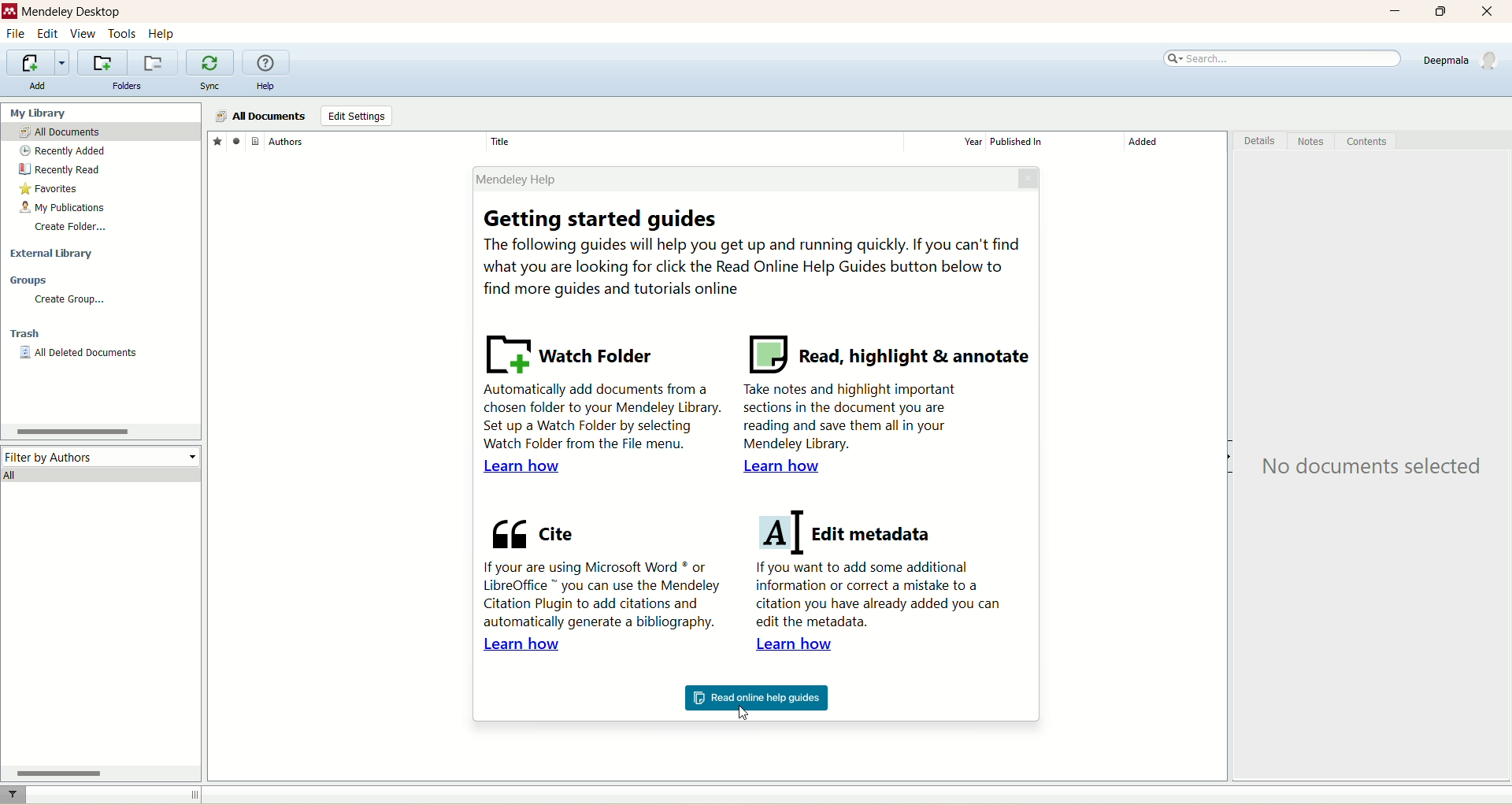  I want to click on details, so click(1258, 141).